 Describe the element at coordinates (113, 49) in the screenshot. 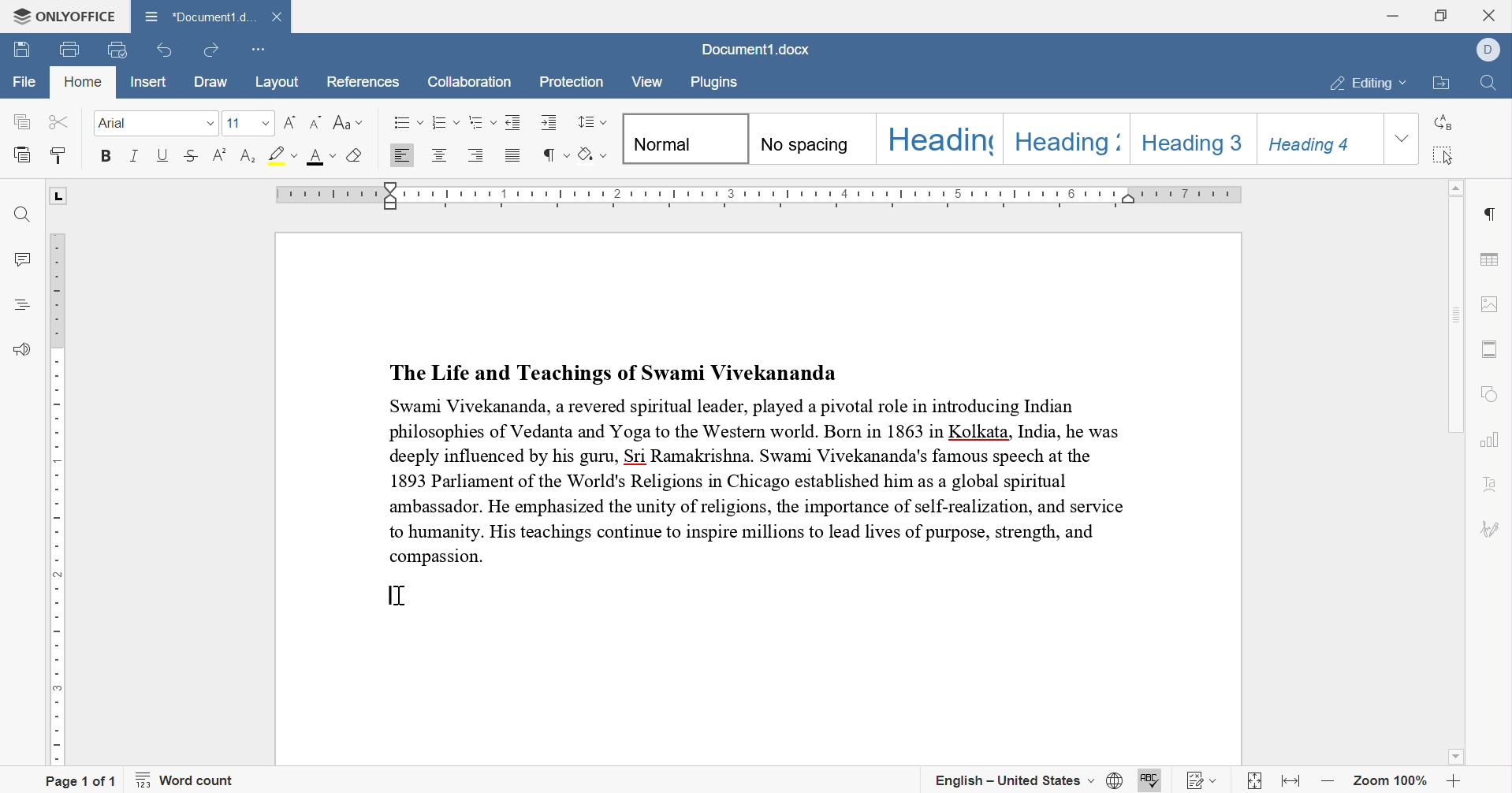

I see `quick print` at that location.